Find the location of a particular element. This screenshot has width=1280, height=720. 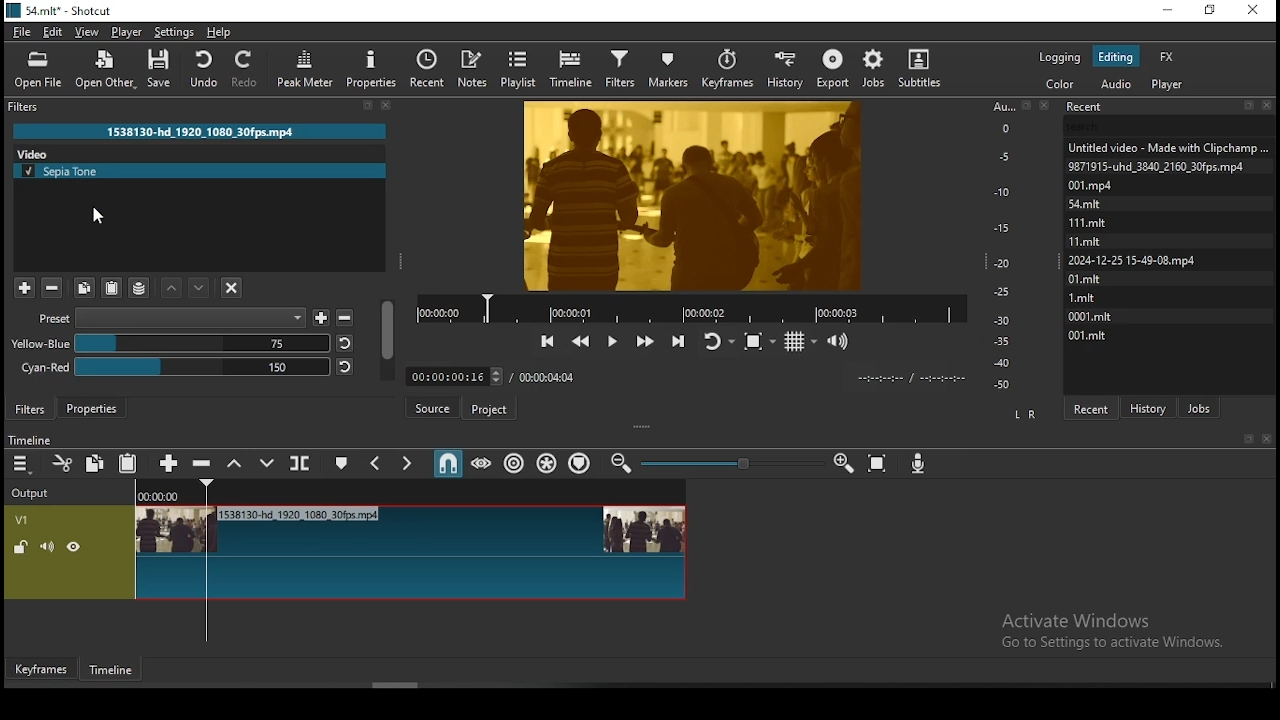

remove selected filter is located at coordinates (52, 290).